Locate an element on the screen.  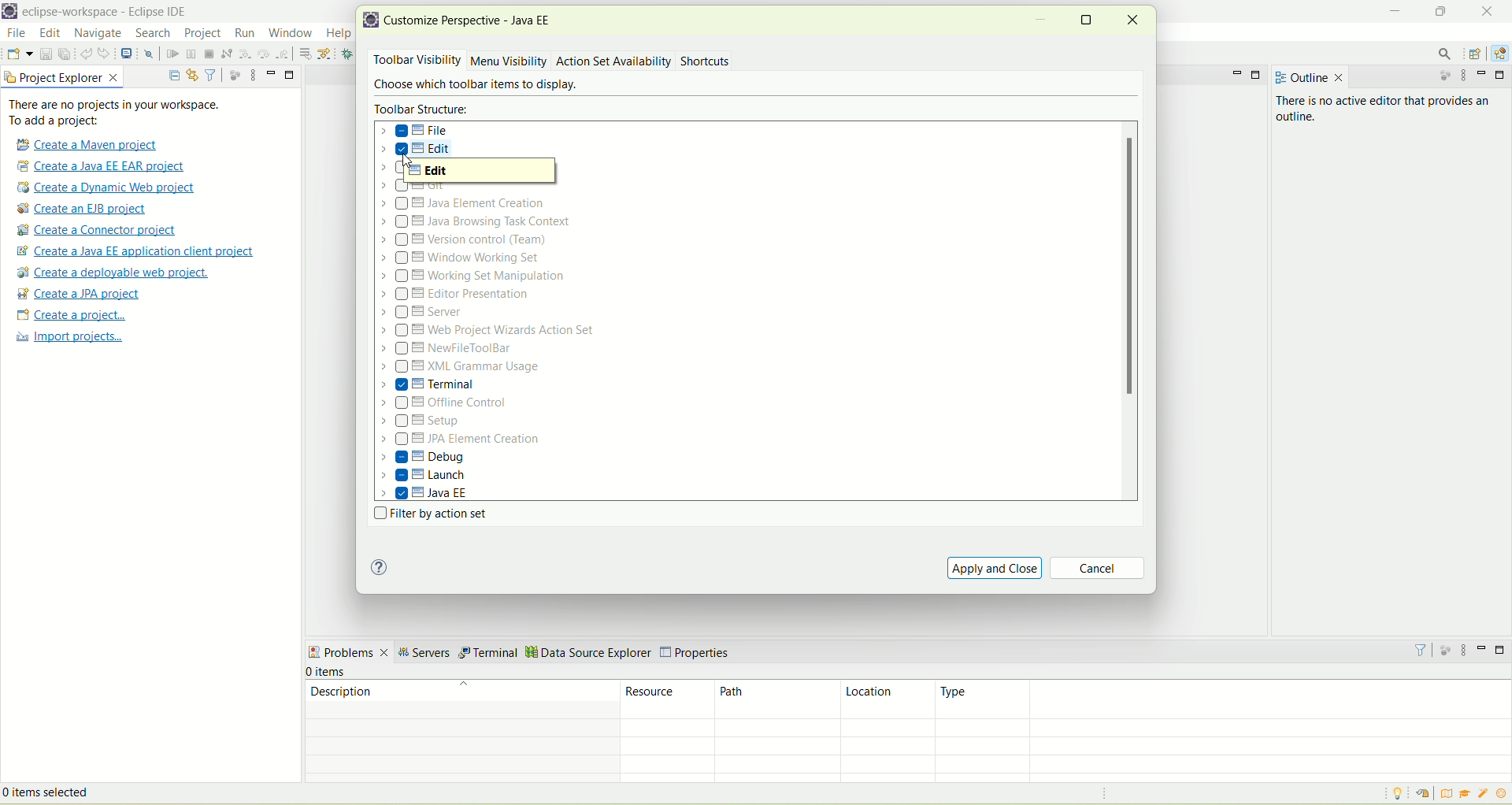
window is located at coordinates (290, 34).